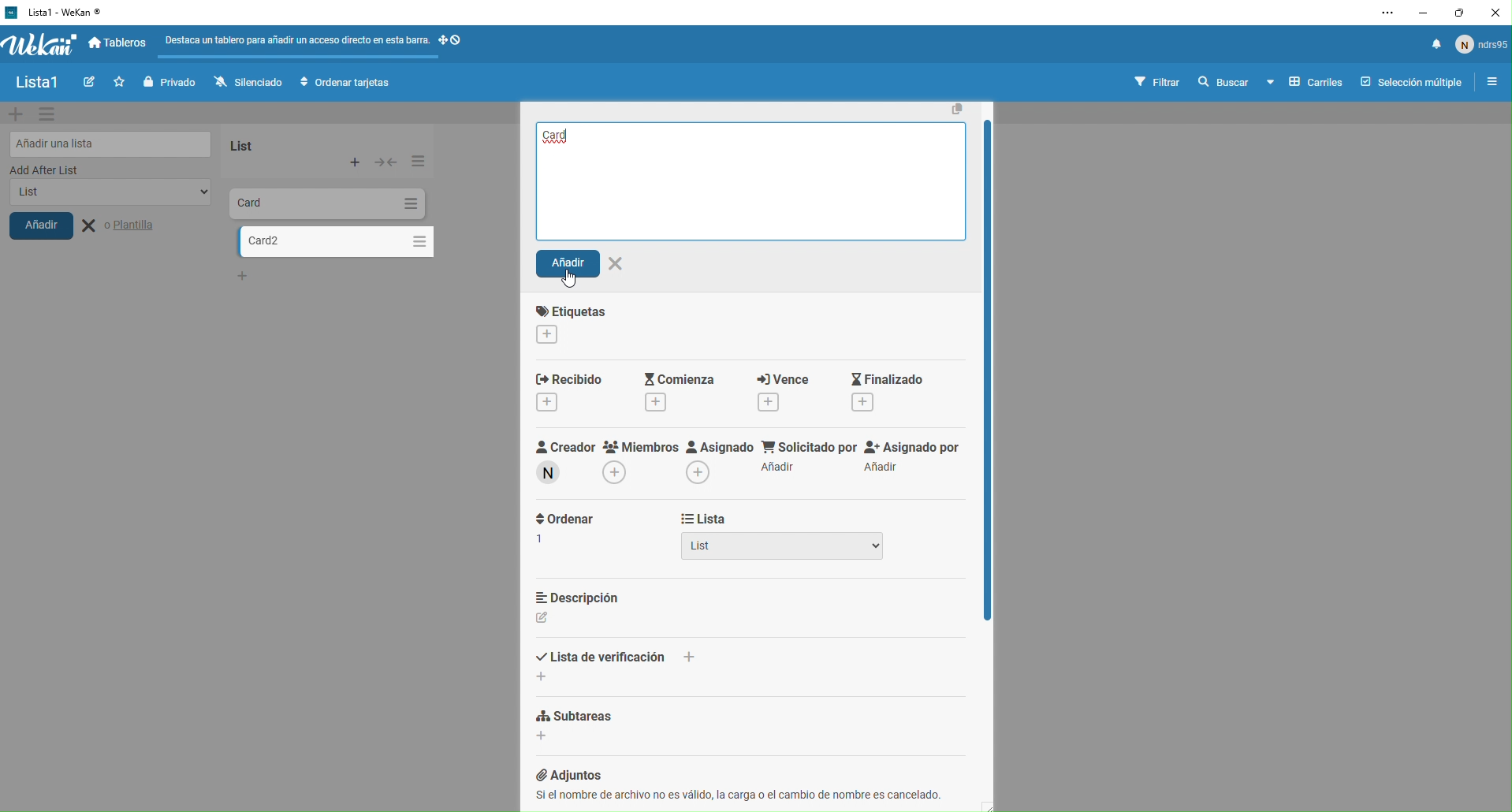 Image resolution: width=1512 pixels, height=812 pixels. Describe the element at coordinates (1461, 12) in the screenshot. I see `maximise` at that location.